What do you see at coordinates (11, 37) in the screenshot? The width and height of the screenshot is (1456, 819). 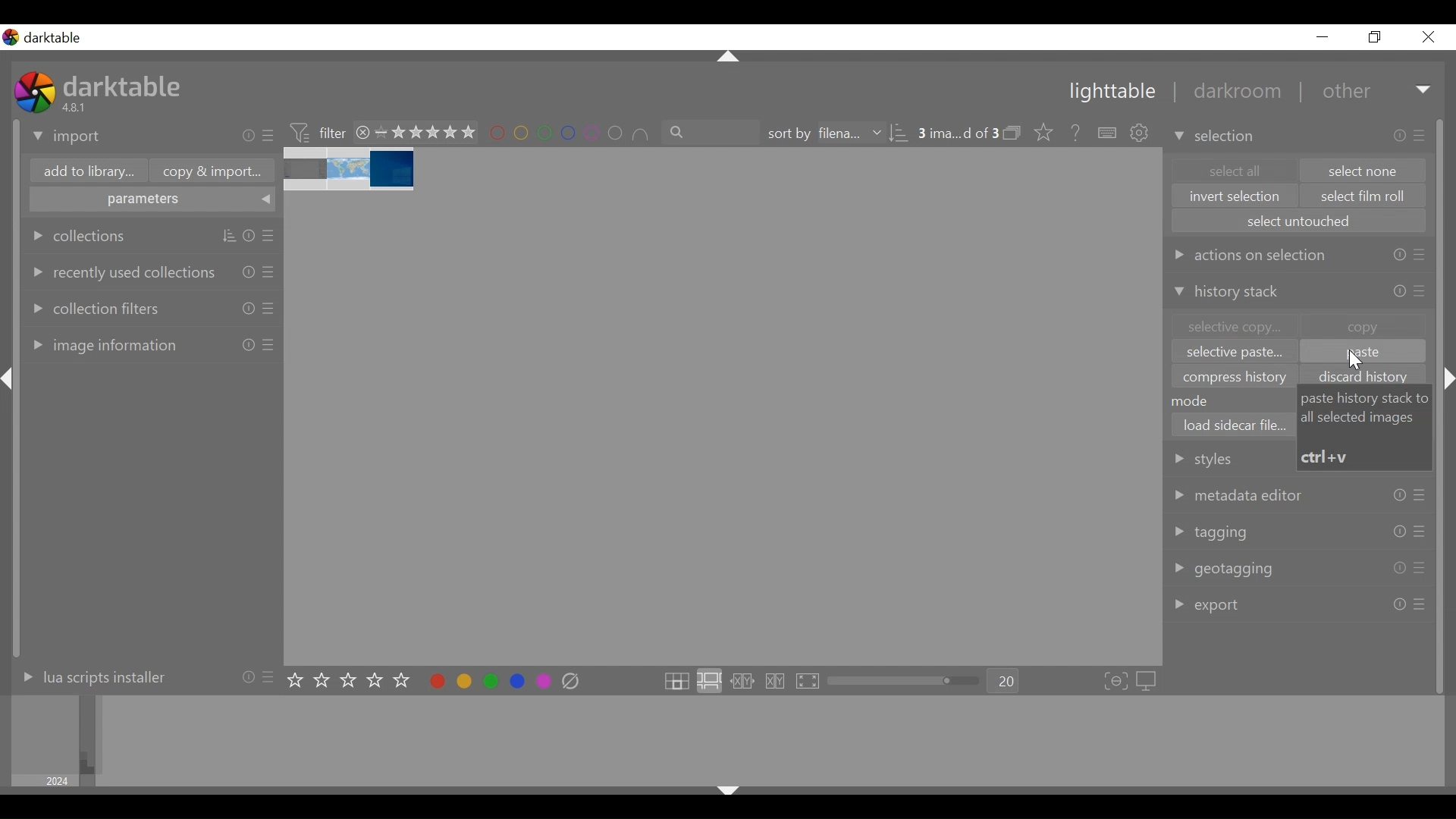 I see `logo` at bounding box center [11, 37].